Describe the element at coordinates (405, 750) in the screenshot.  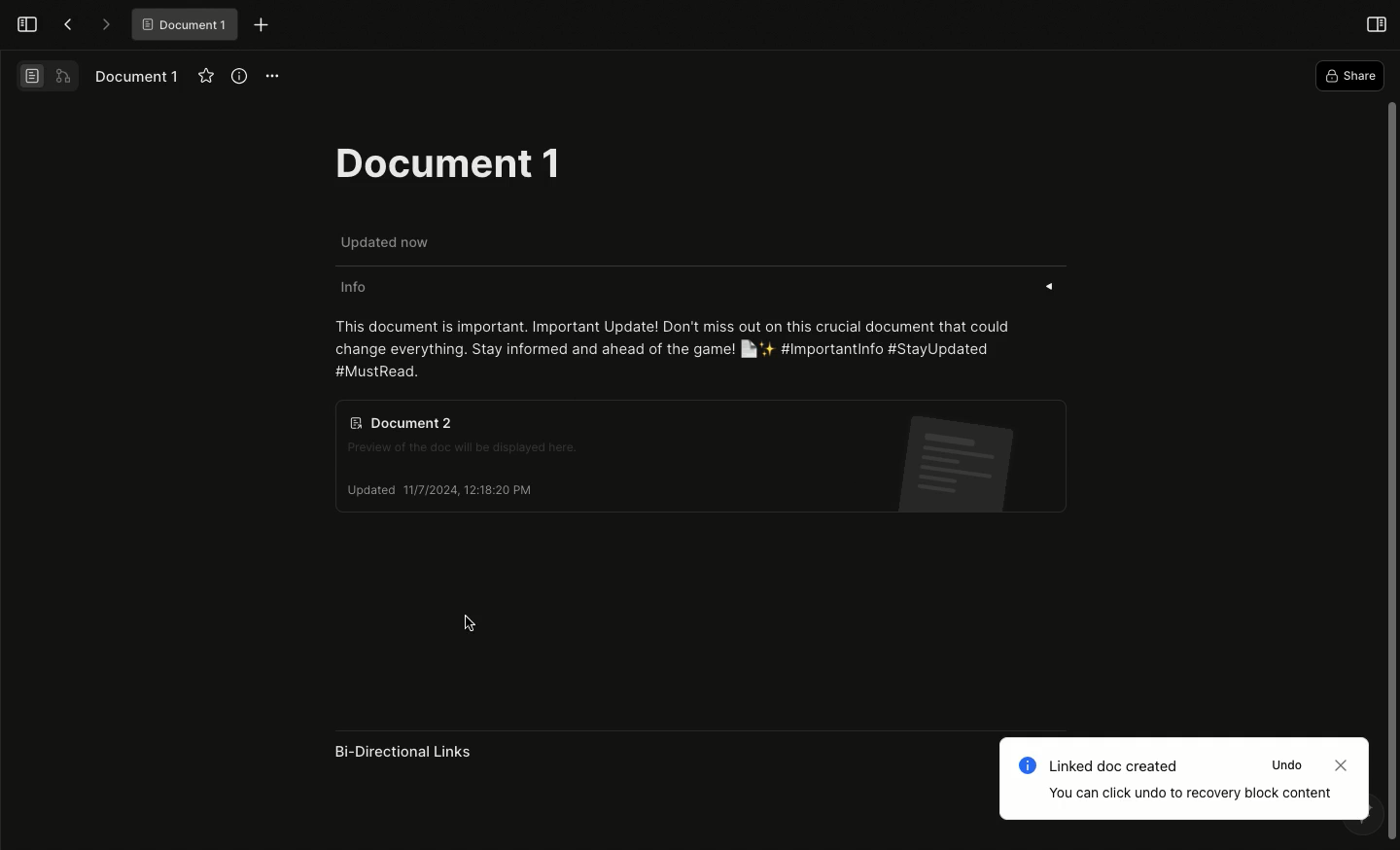
I see `Bi-Directional Links` at that location.